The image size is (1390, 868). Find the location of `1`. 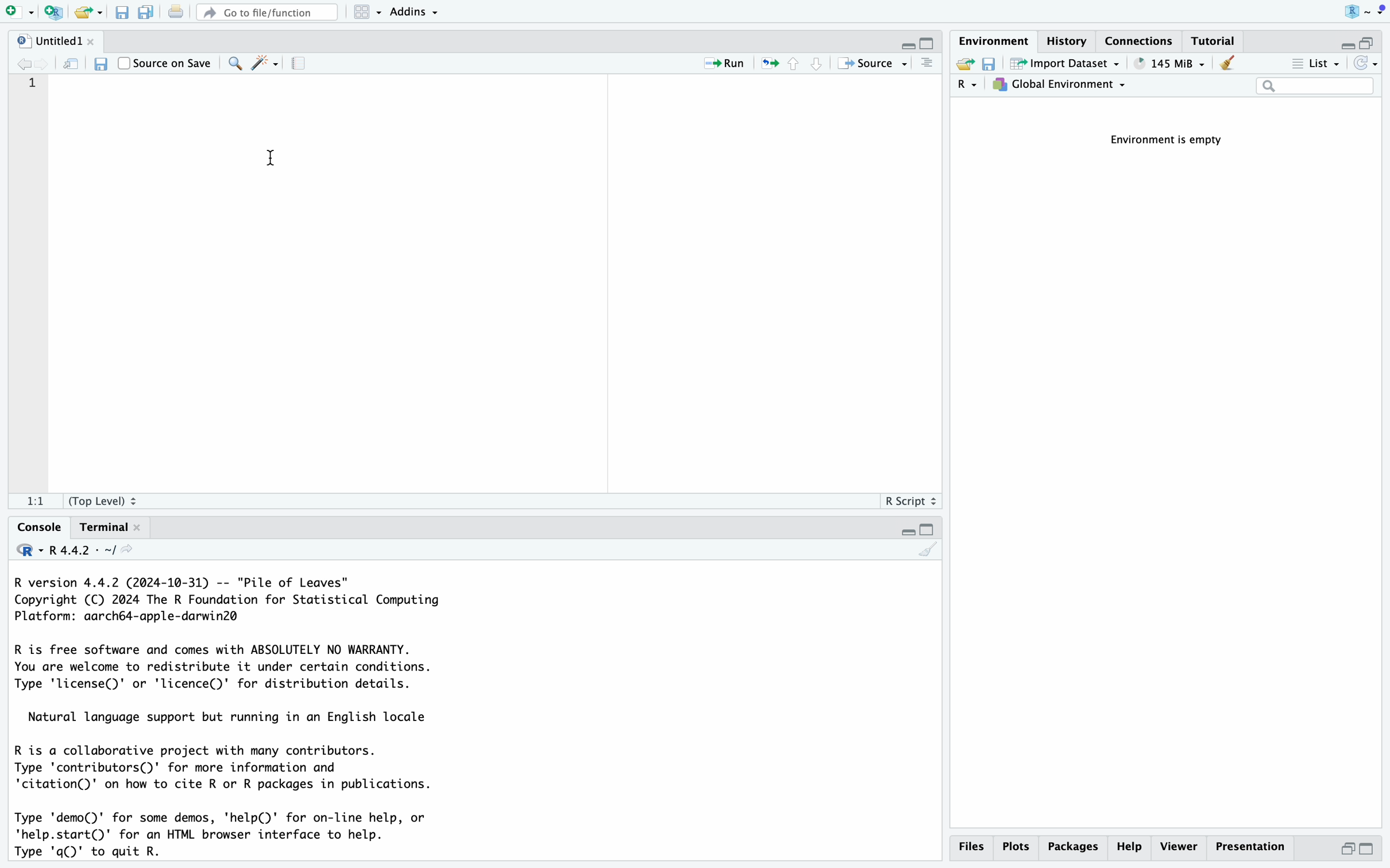

1 is located at coordinates (33, 84).